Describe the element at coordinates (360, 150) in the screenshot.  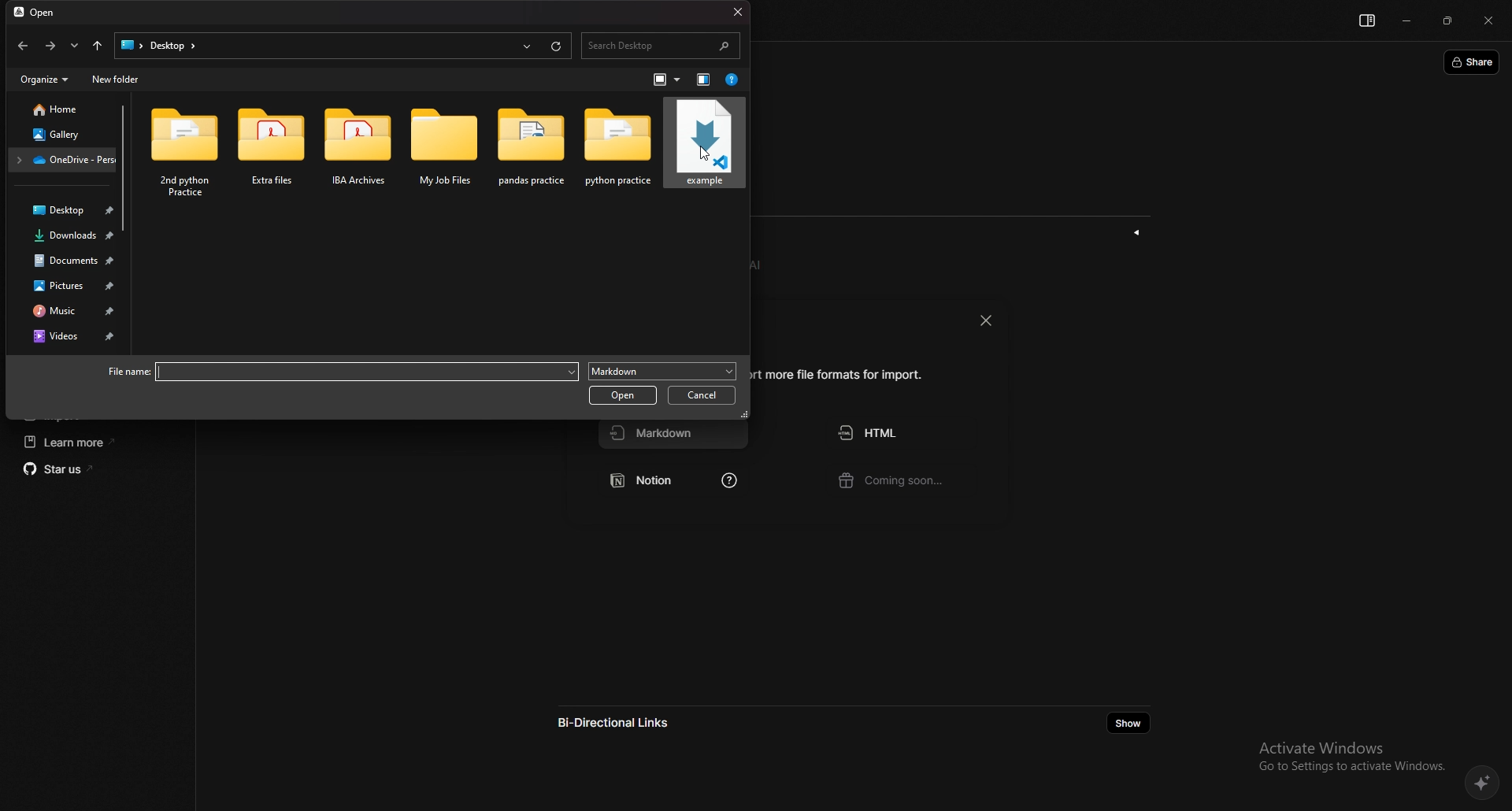
I see `folder` at that location.